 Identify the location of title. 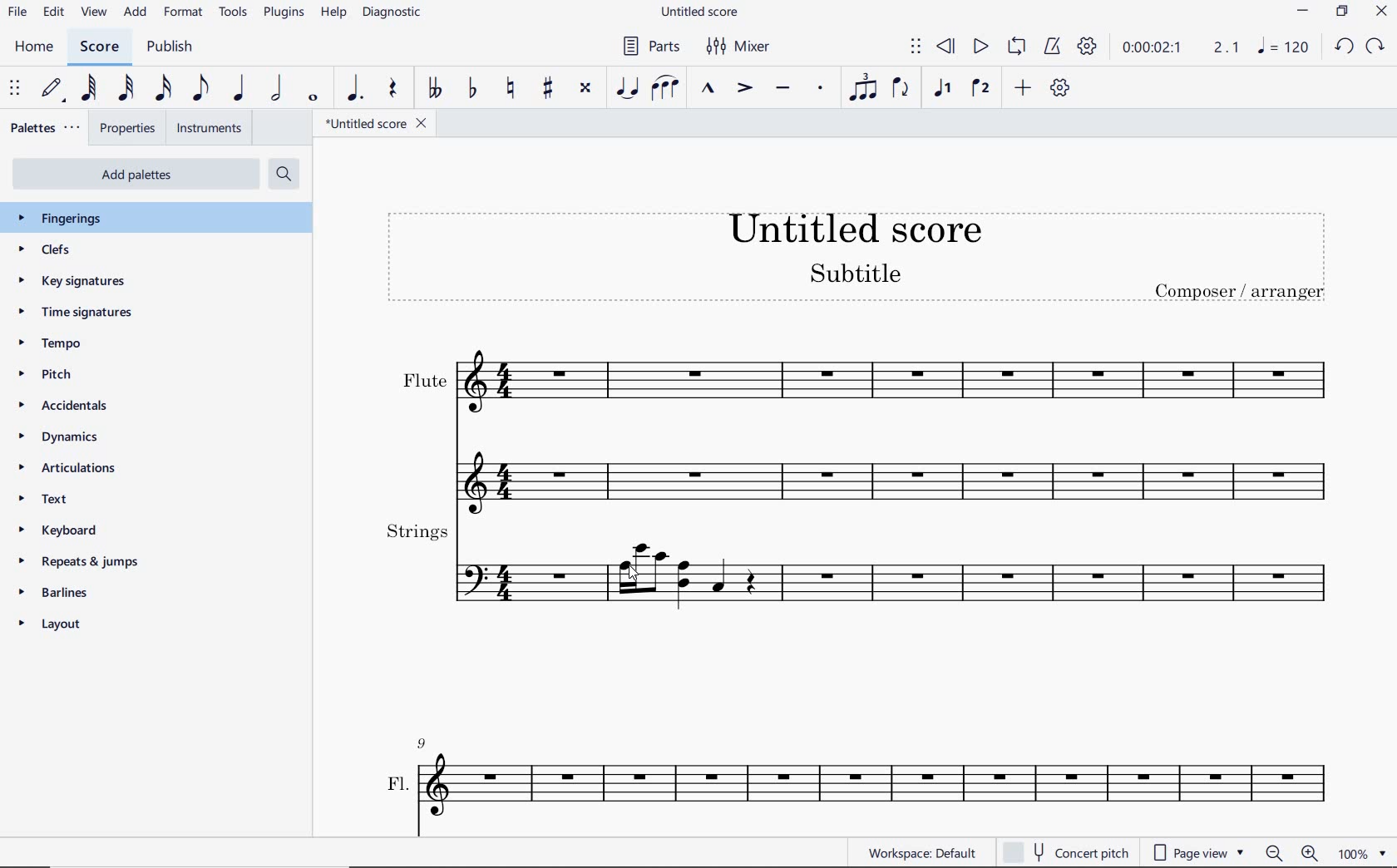
(855, 254).